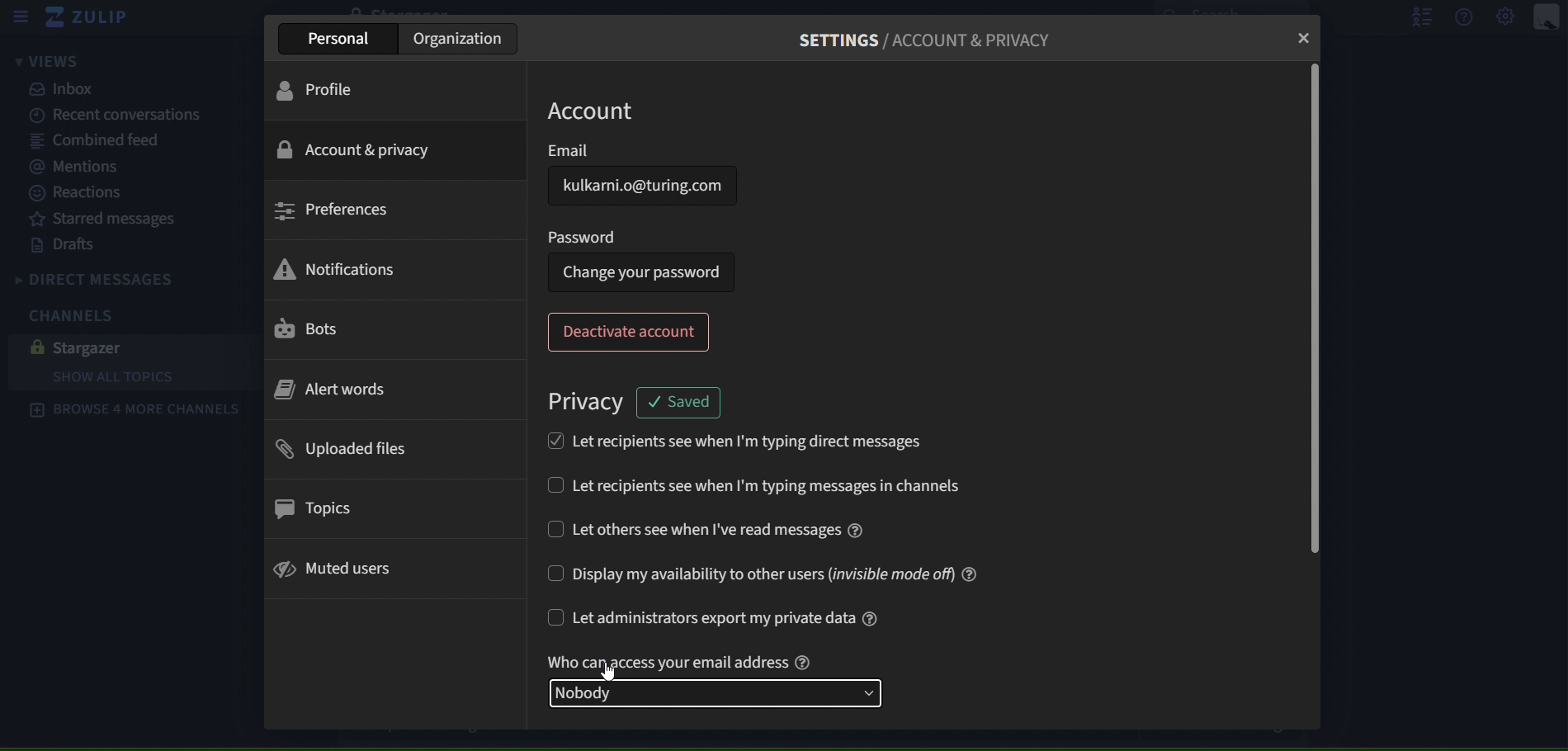 The image size is (1568, 751). Describe the element at coordinates (1303, 38) in the screenshot. I see `close` at that location.